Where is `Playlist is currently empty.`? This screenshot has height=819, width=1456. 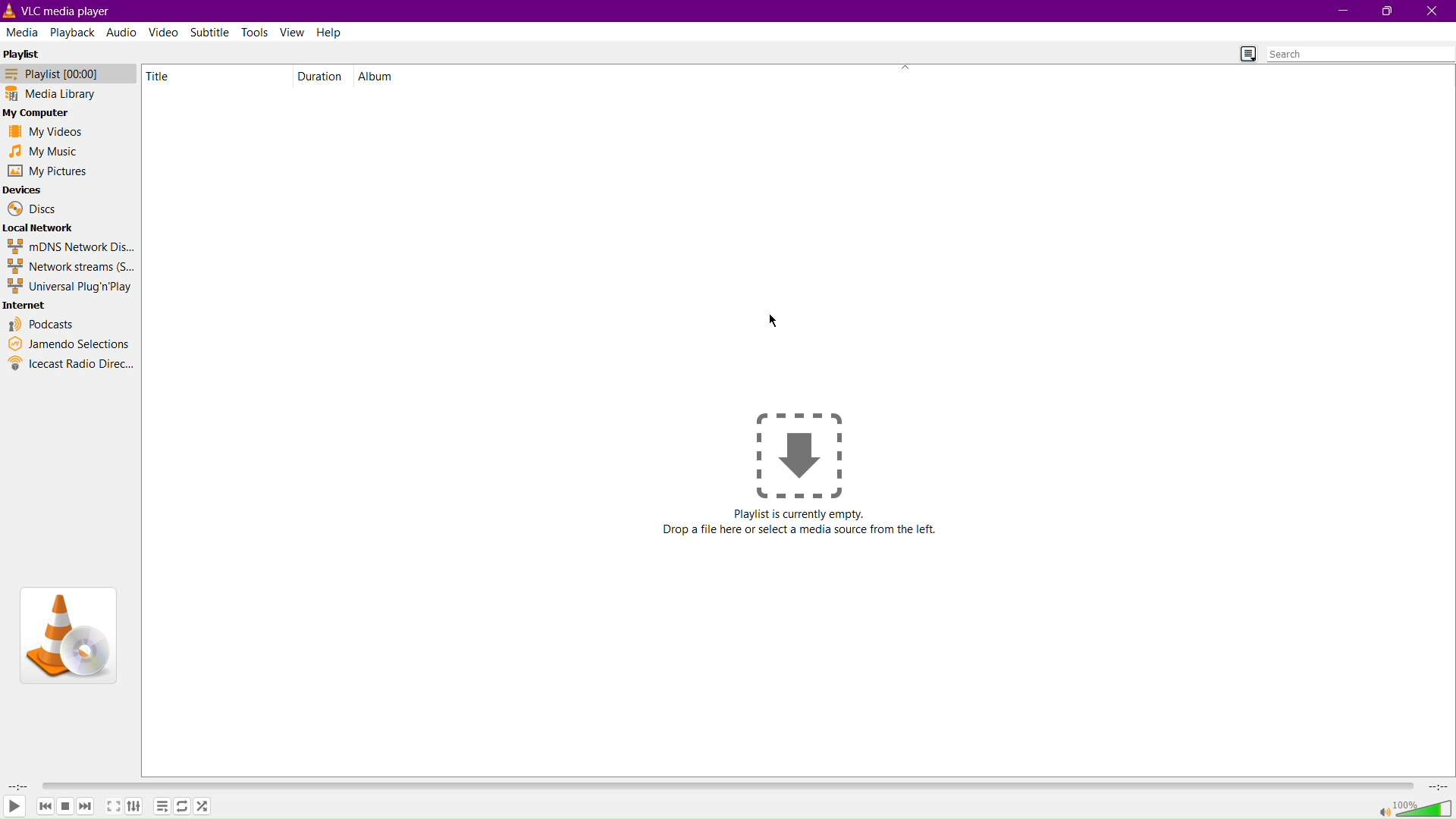 Playlist is currently empty. is located at coordinates (800, 514).